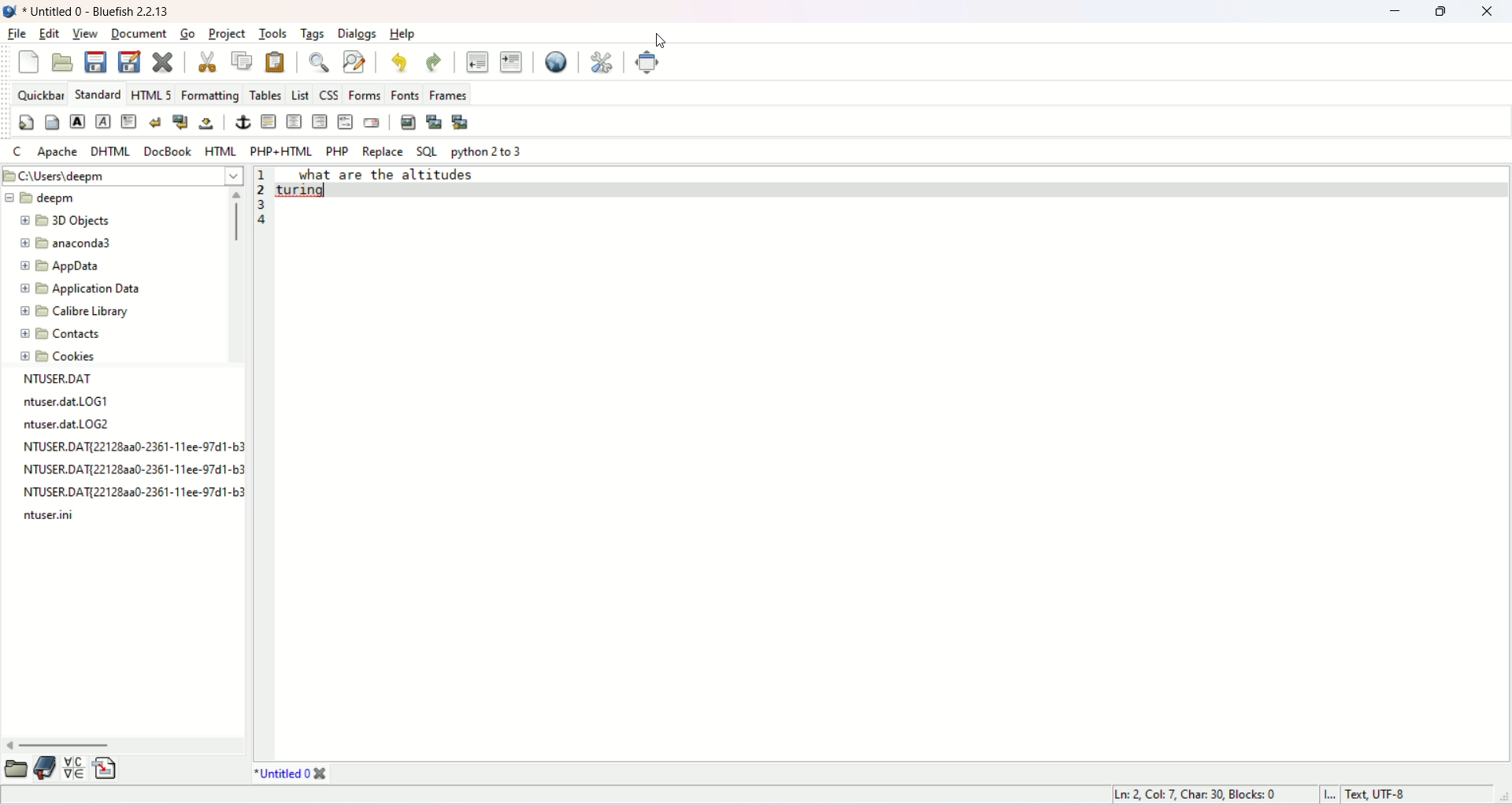 This screenshot has width=1512, height=805. What do you see at coordinates (87, 35) in the screenshot?
I see `view` at bounding box center [87, 35].